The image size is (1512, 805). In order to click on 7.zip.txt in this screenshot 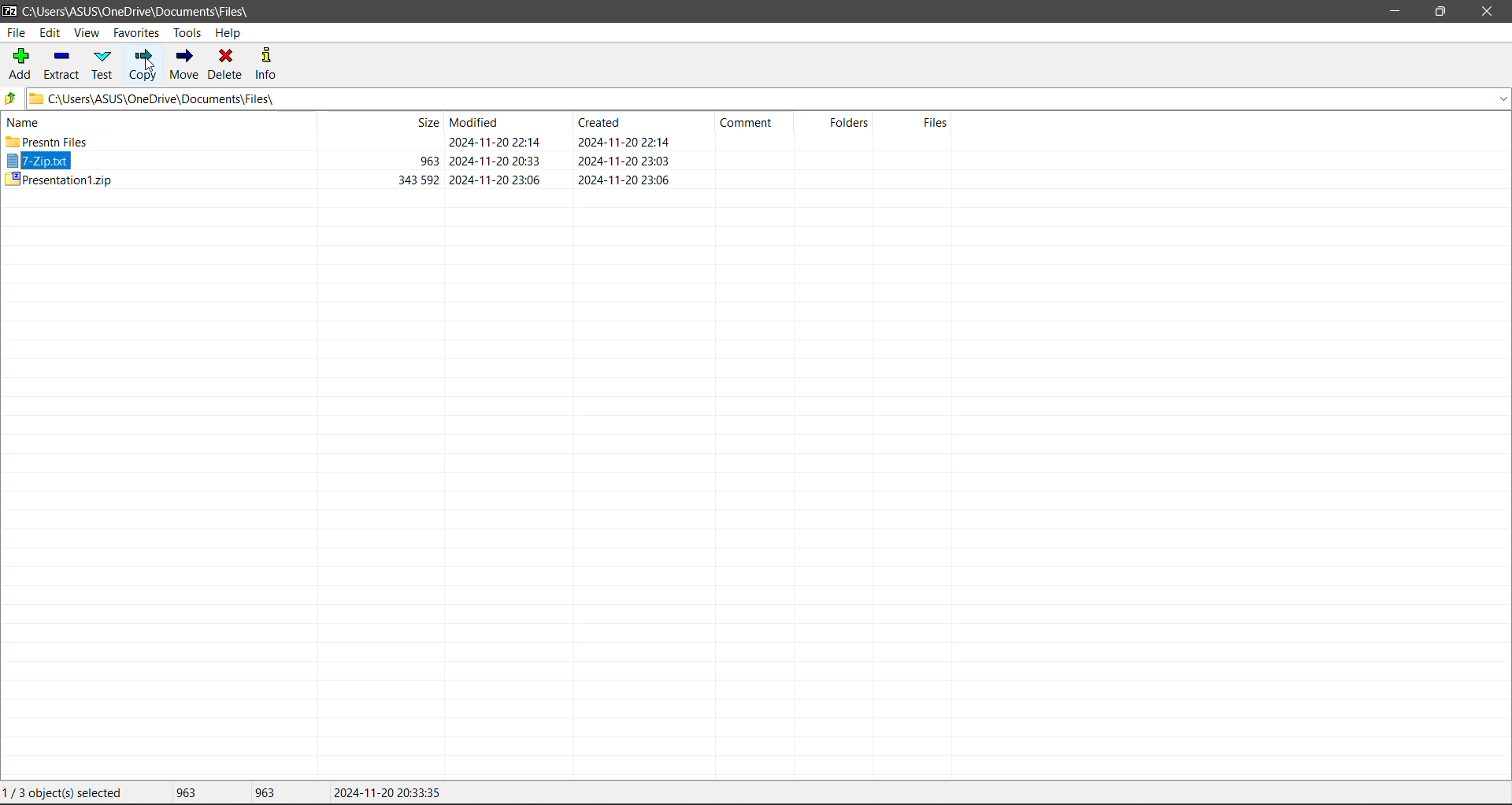, I will do `click(39, 161)`.